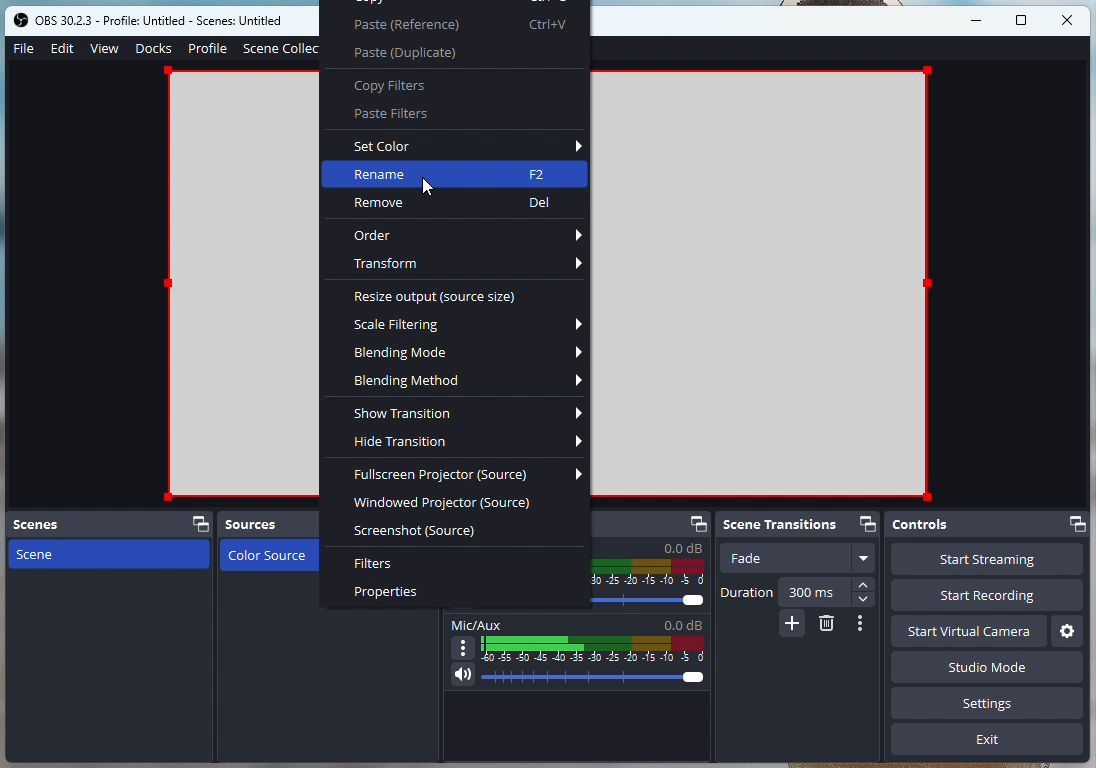 The height and width of the screenshot is (768, 1096). I want to click on cursor, so click(419, 184).